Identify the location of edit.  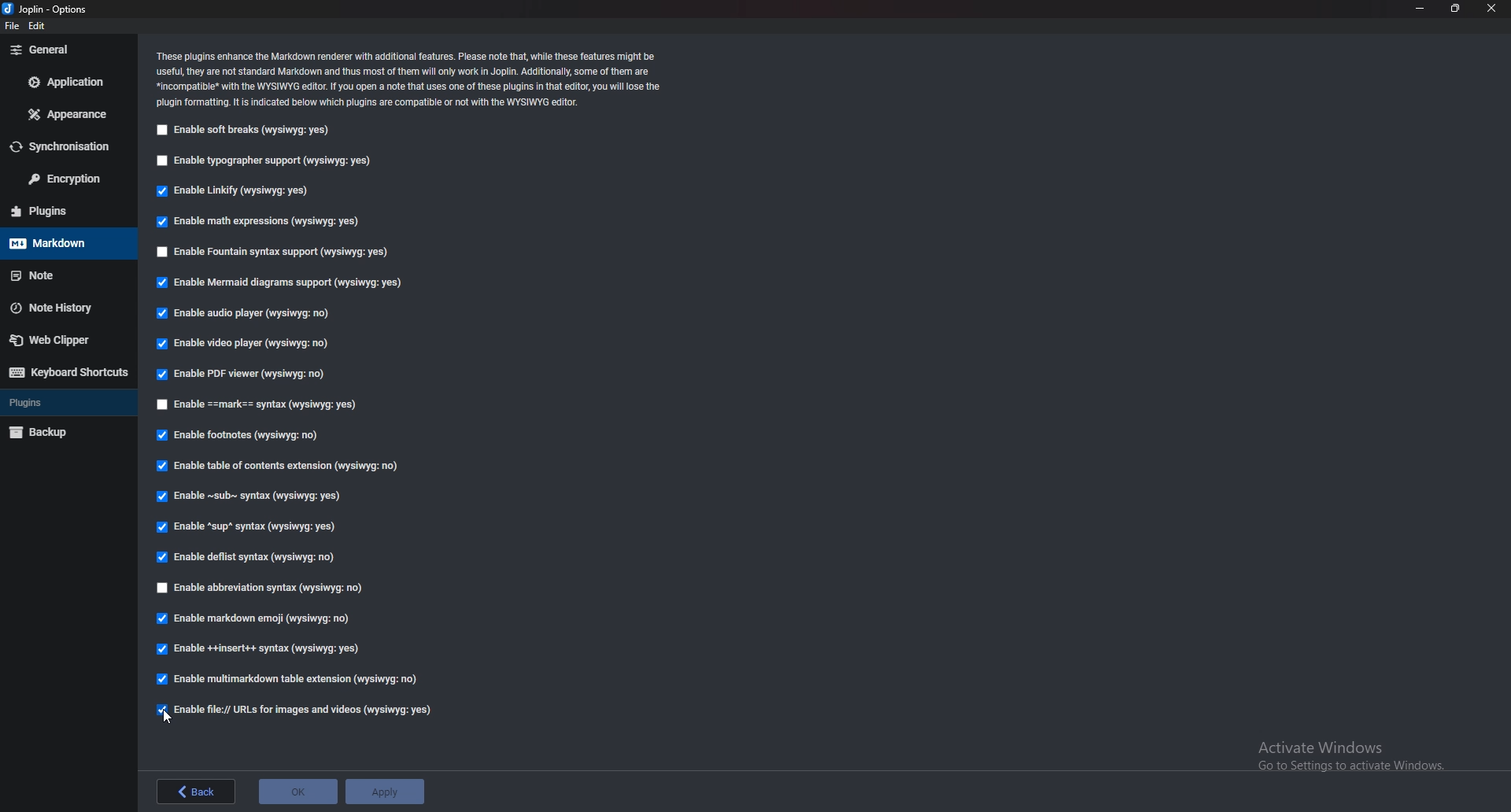
(38, 25).